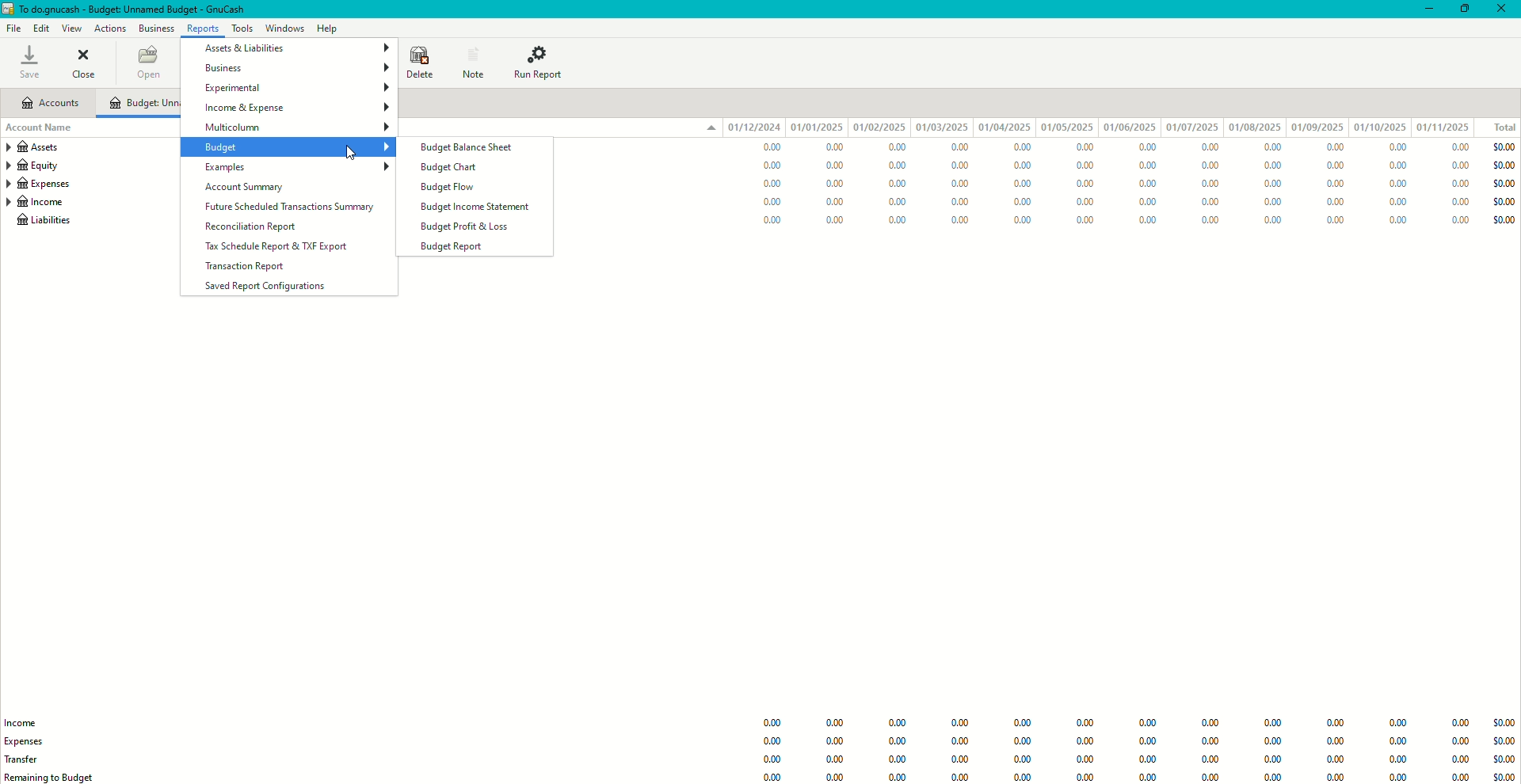  Describe the element at coordinates (1461, 164) in the screenshot. I see `0.00` at that location.